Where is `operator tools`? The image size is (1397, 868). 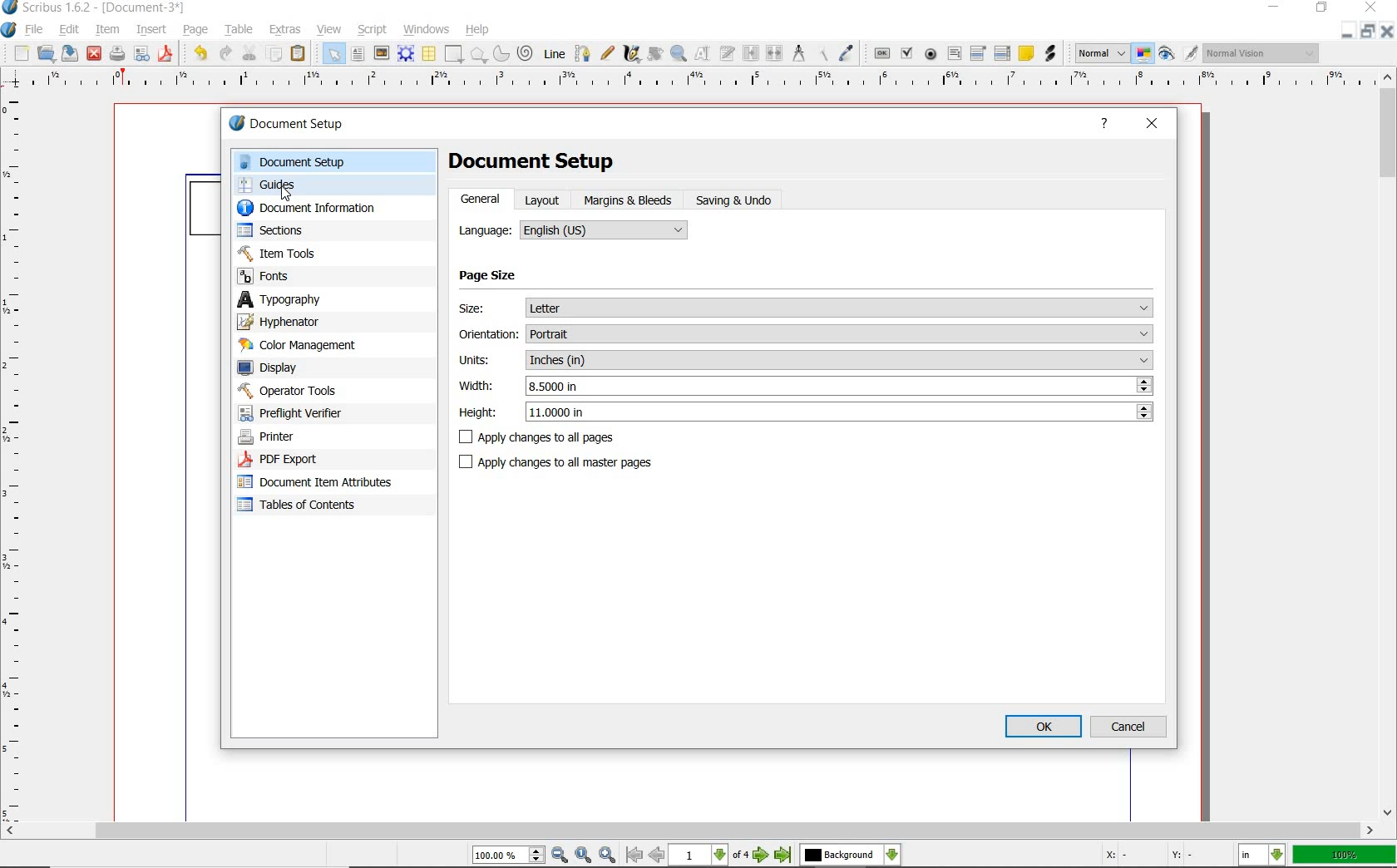
operator tools is located at coordinates (327, 391).